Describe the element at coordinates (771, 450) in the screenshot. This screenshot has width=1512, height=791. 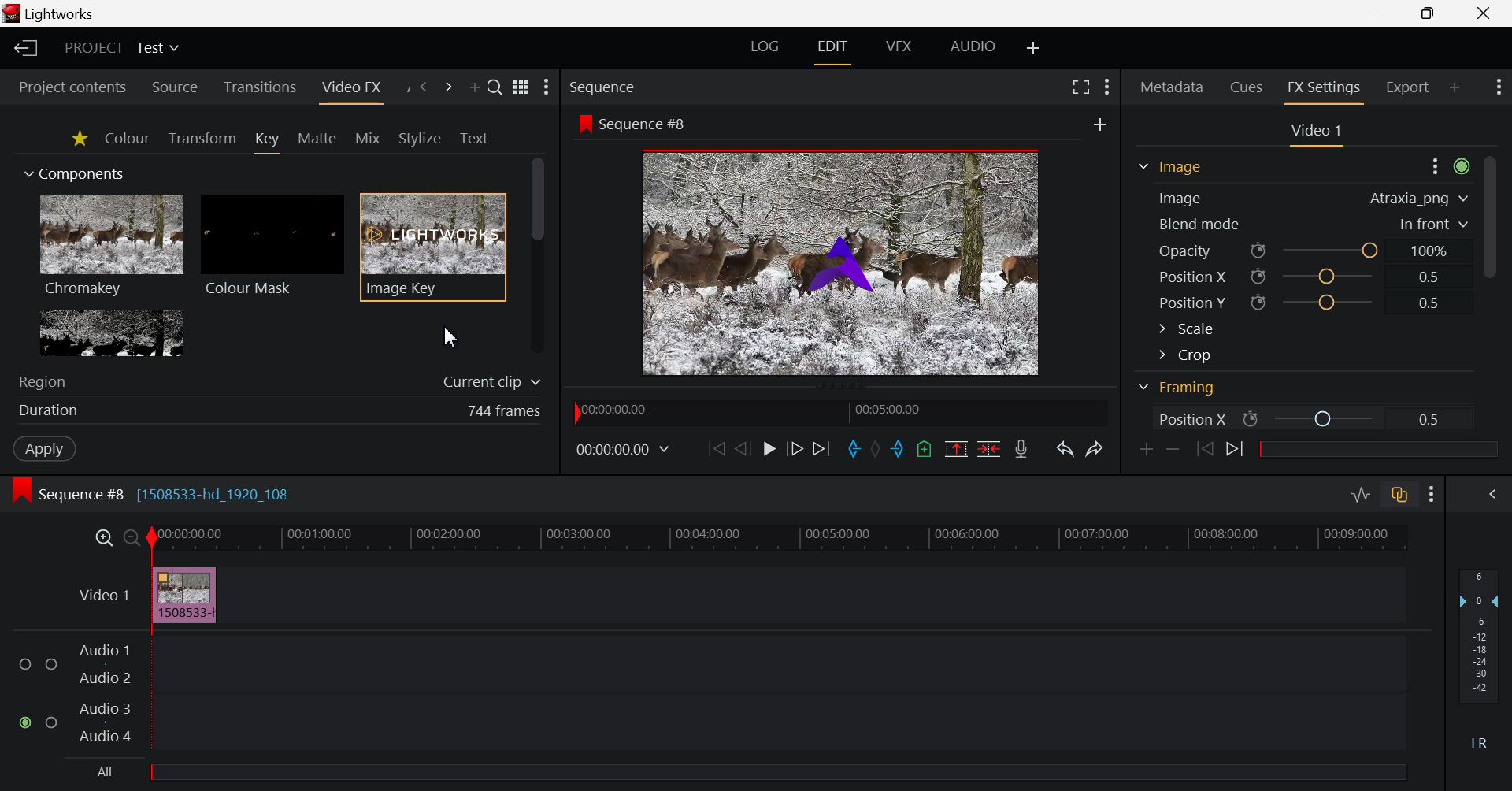
I see `Play` at that location.